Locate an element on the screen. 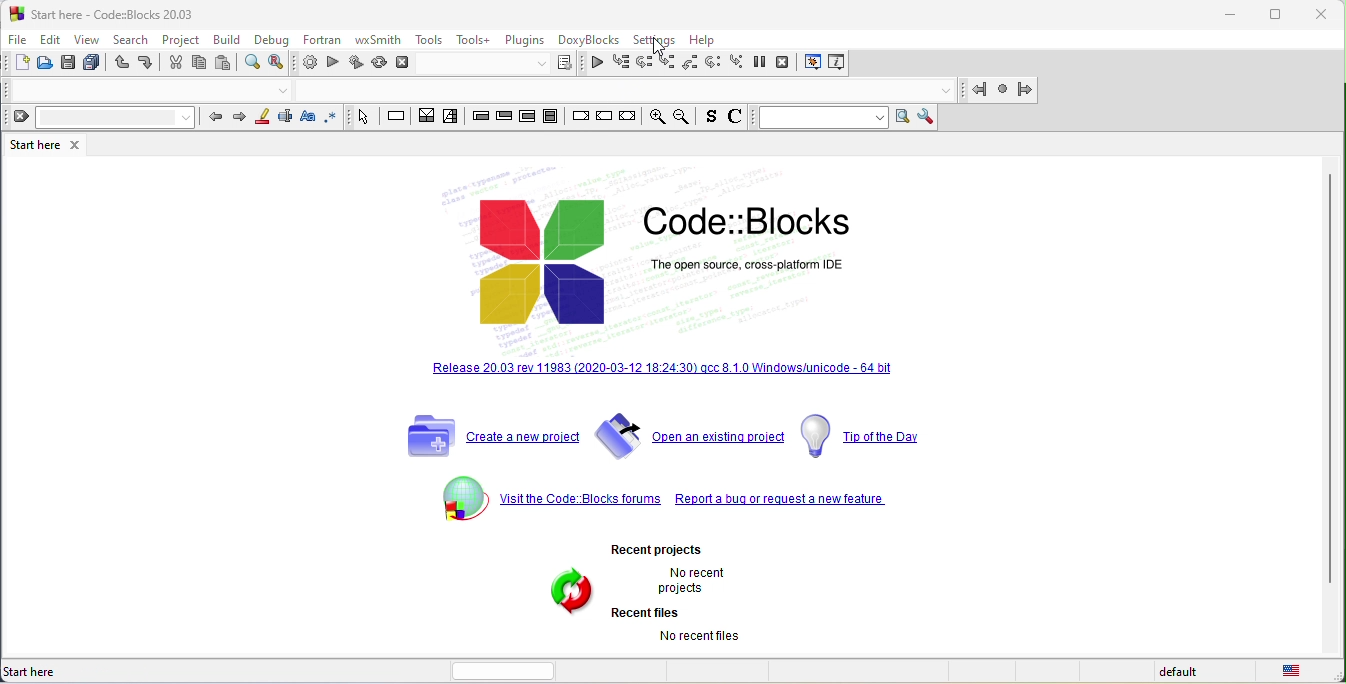  drop down is located at coordinates (281, 92).